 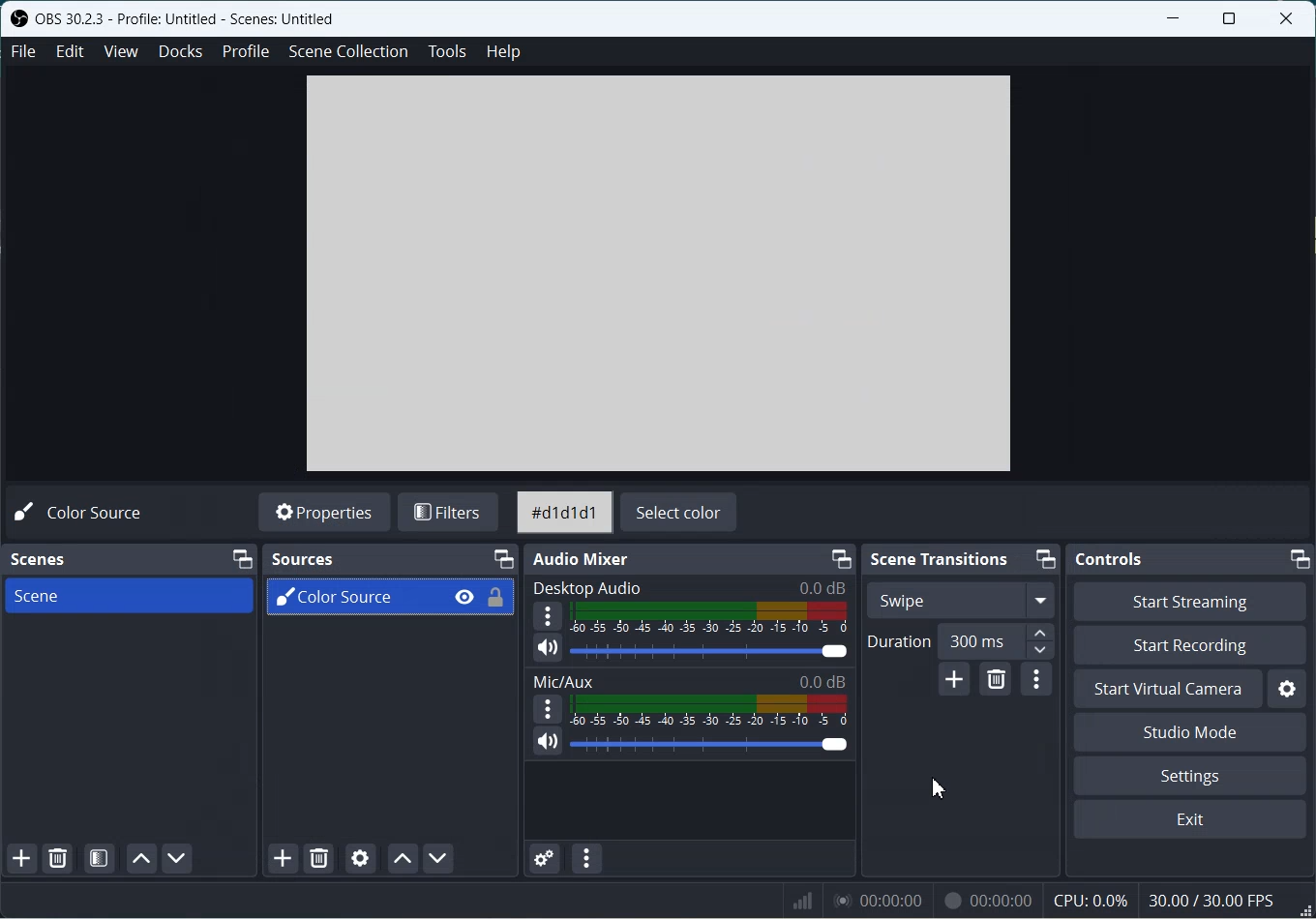 What do you see at coordinates (321, 858) in the screenshot?
I see `Remove Source` at bounding box center [321, 858].